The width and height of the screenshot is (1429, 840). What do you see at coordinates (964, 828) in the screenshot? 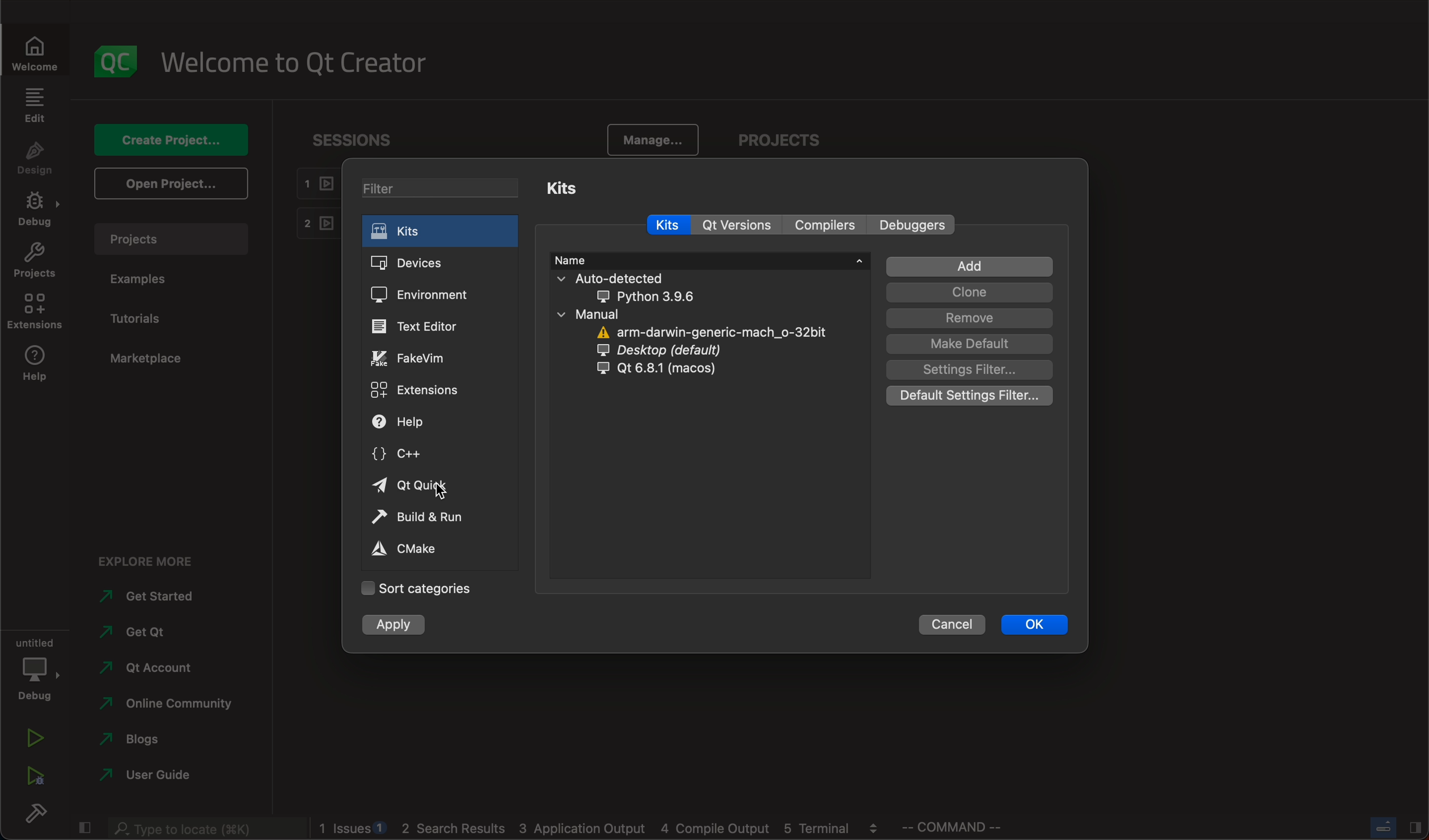
I see `command` at bounding box center [964, 828].